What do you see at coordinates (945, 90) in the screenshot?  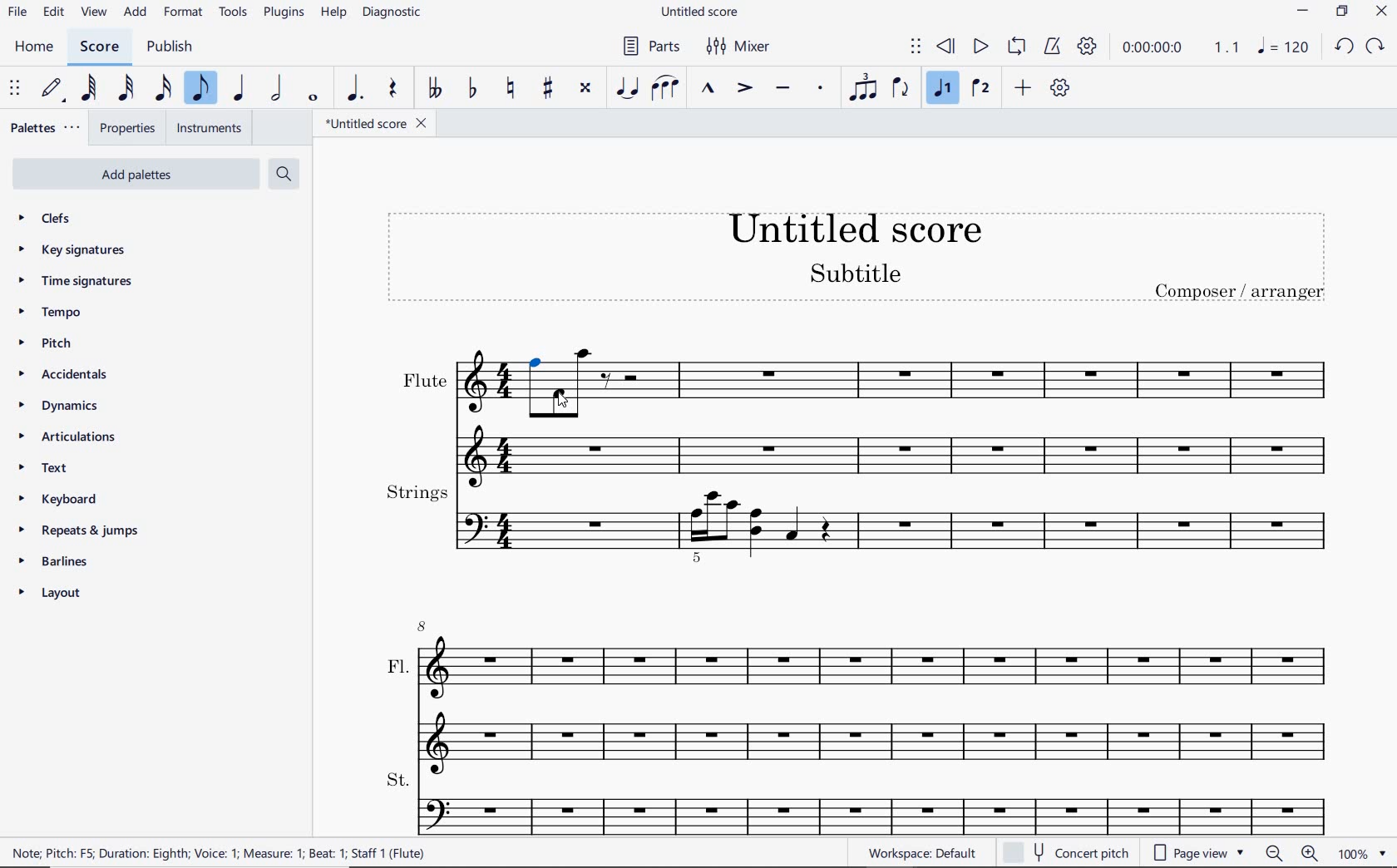 I see `VOICE 1` at bounding box center [945, 90].